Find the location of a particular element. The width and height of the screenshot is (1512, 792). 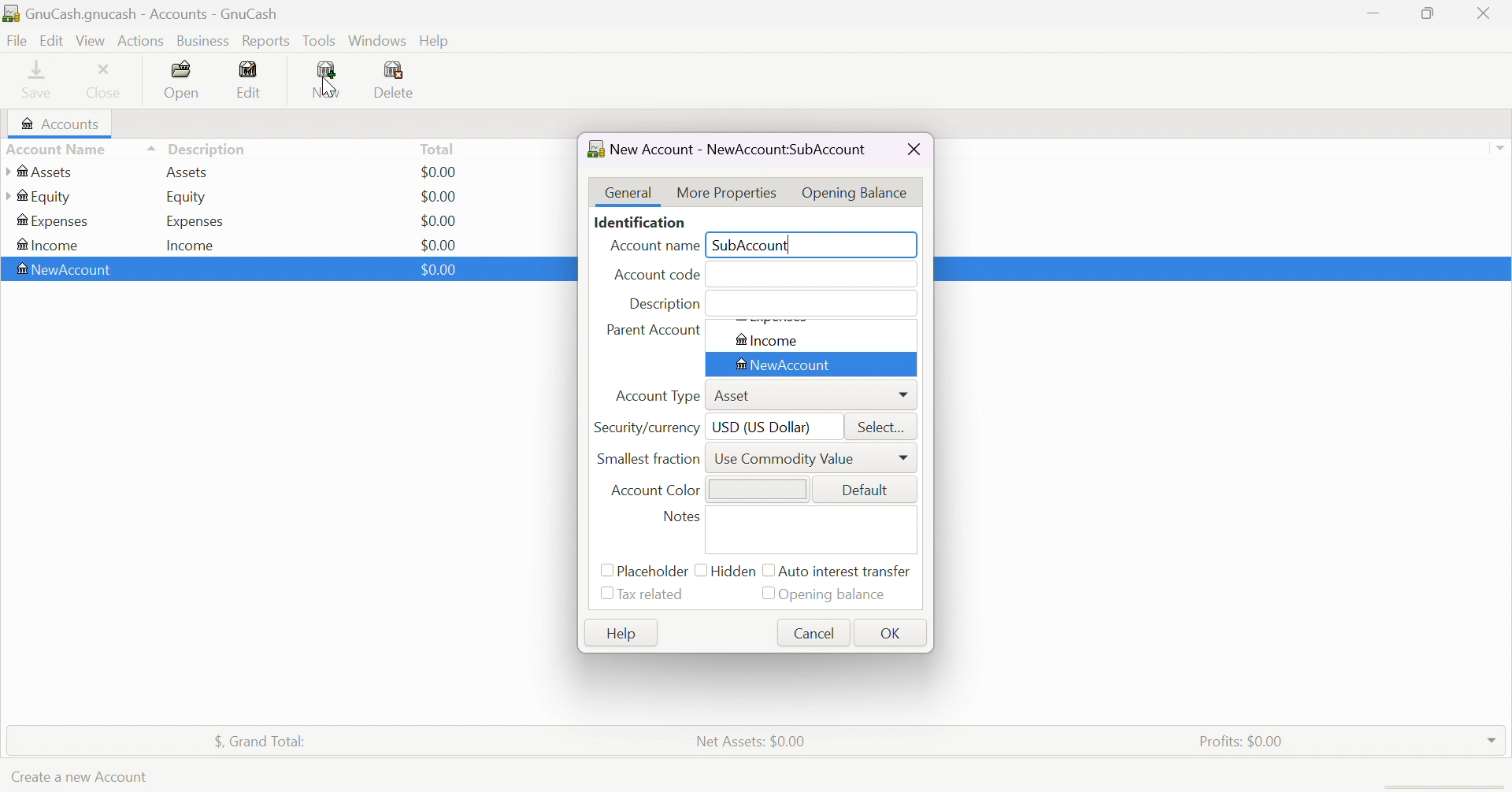

Business is located at coordinates (206, 41).